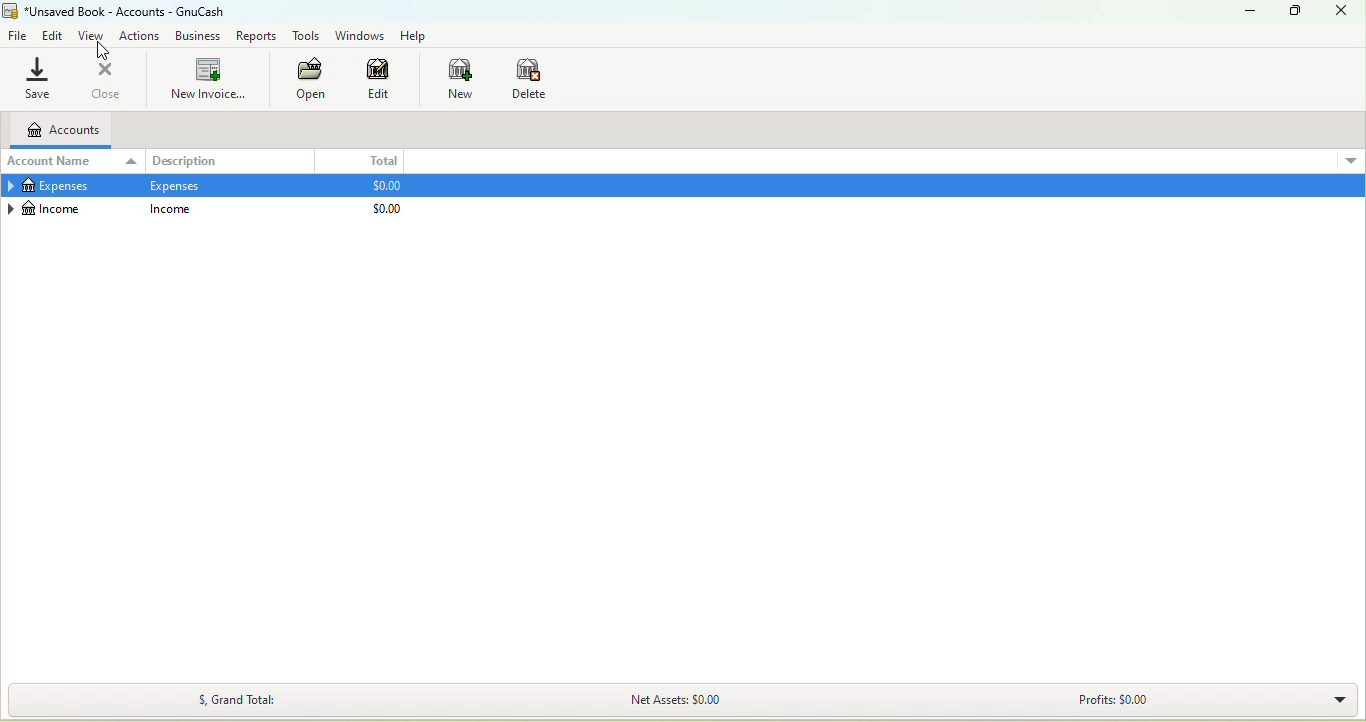  Describe the element at coordinates (38, 77) in the screenshot. I see `Save` at that location.